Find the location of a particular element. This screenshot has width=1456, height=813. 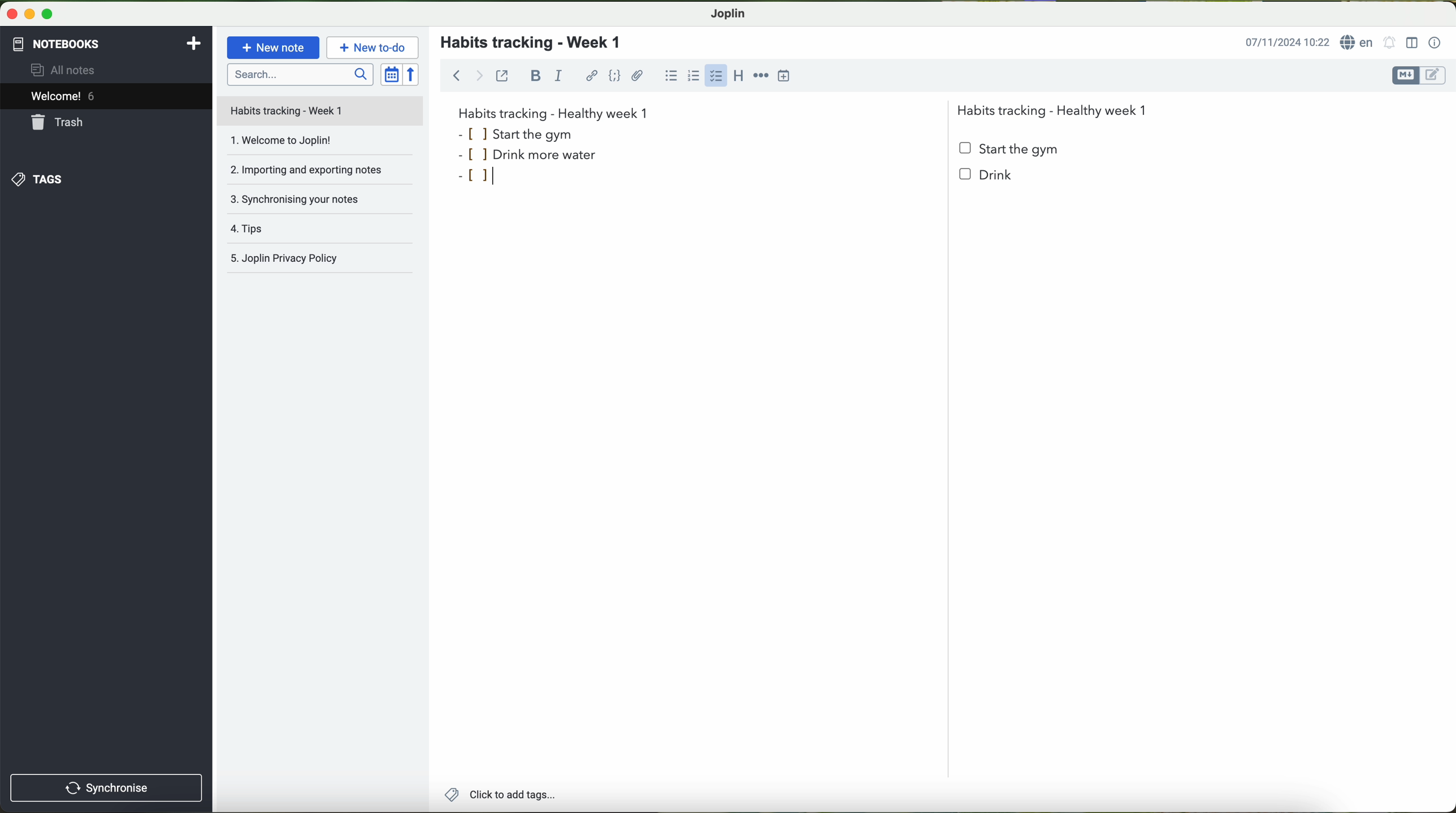

Joplin is located at coordinates (727, 14).